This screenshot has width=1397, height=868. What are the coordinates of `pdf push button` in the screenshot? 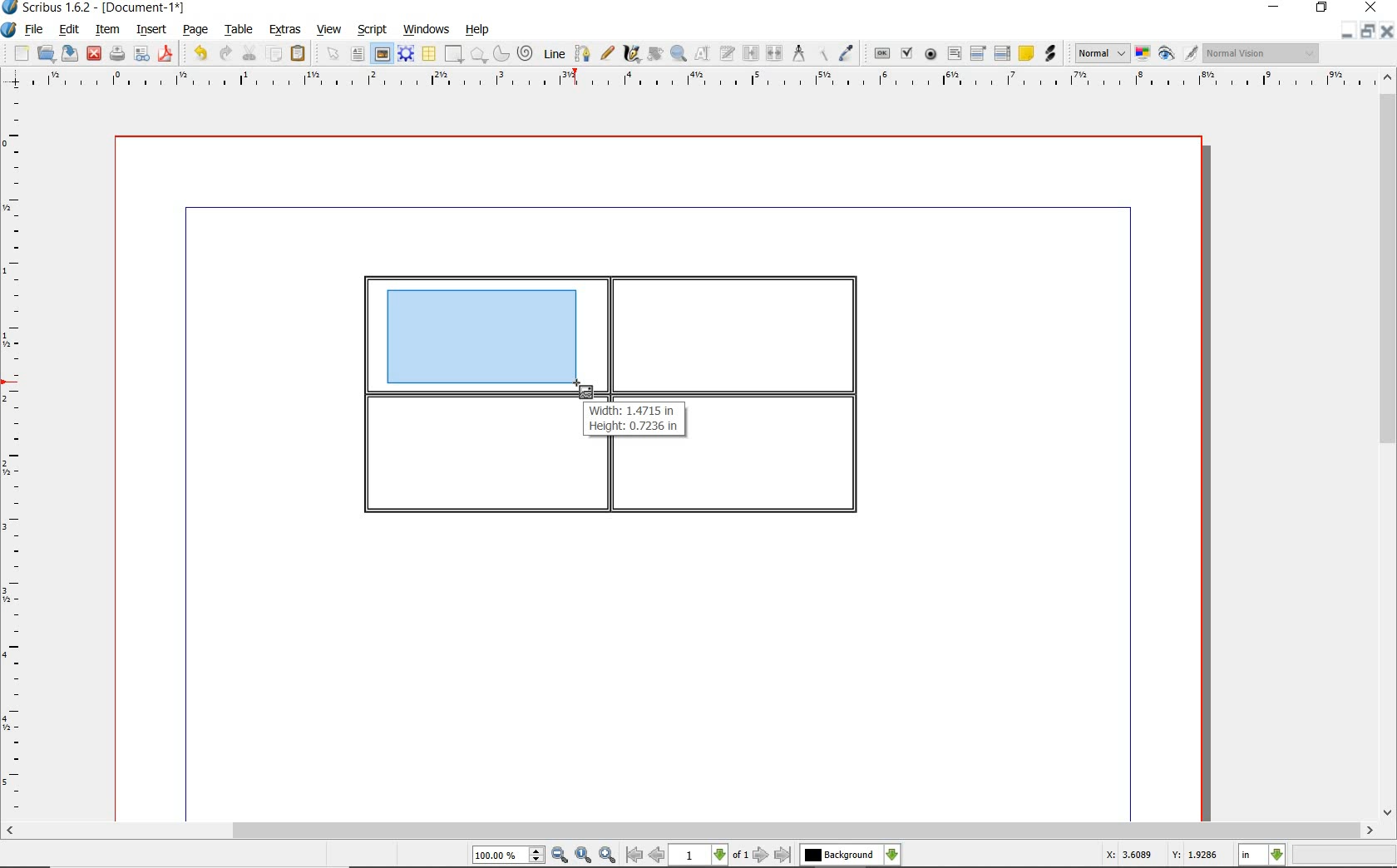 It's located at (882, 52).